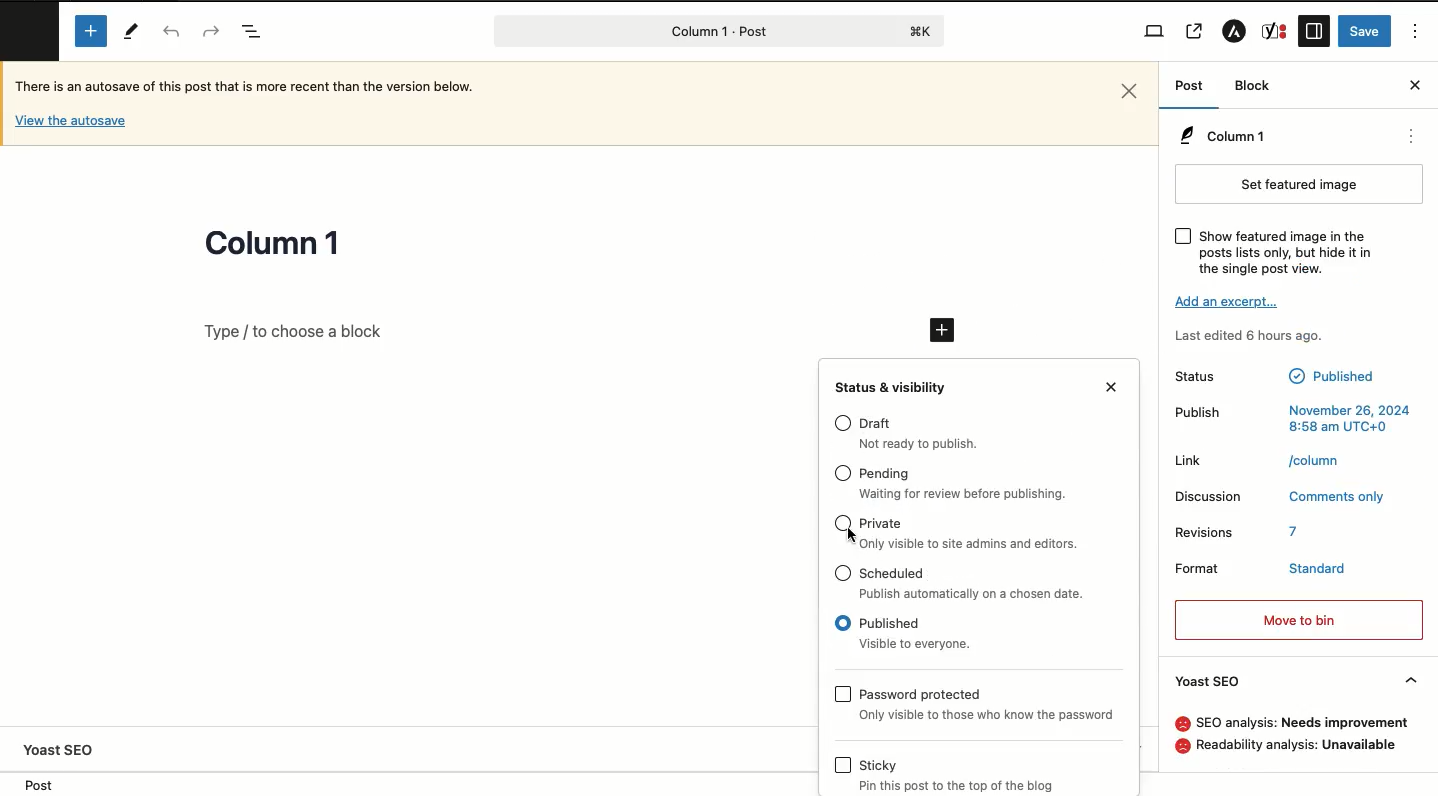  Describe the element at coordinates (1414, 138) in the screenshot. I see `more` at that location.